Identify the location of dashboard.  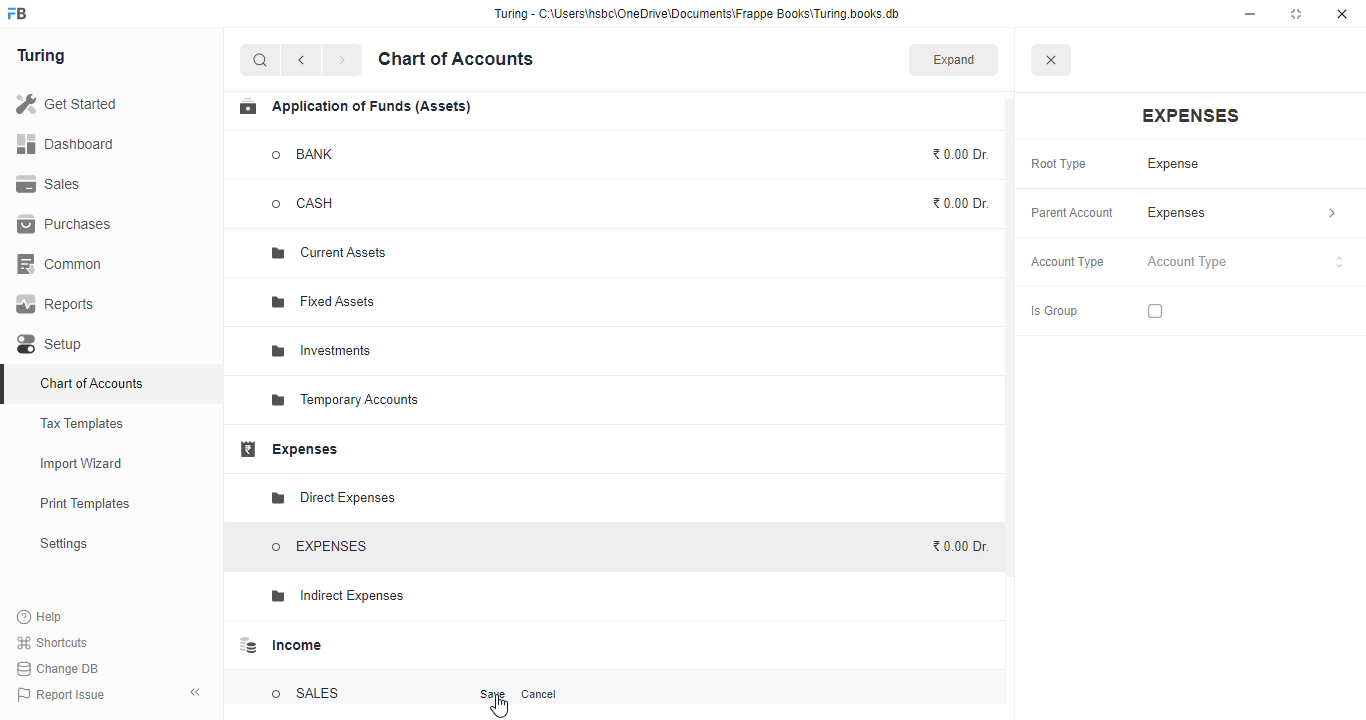
(65, 143).